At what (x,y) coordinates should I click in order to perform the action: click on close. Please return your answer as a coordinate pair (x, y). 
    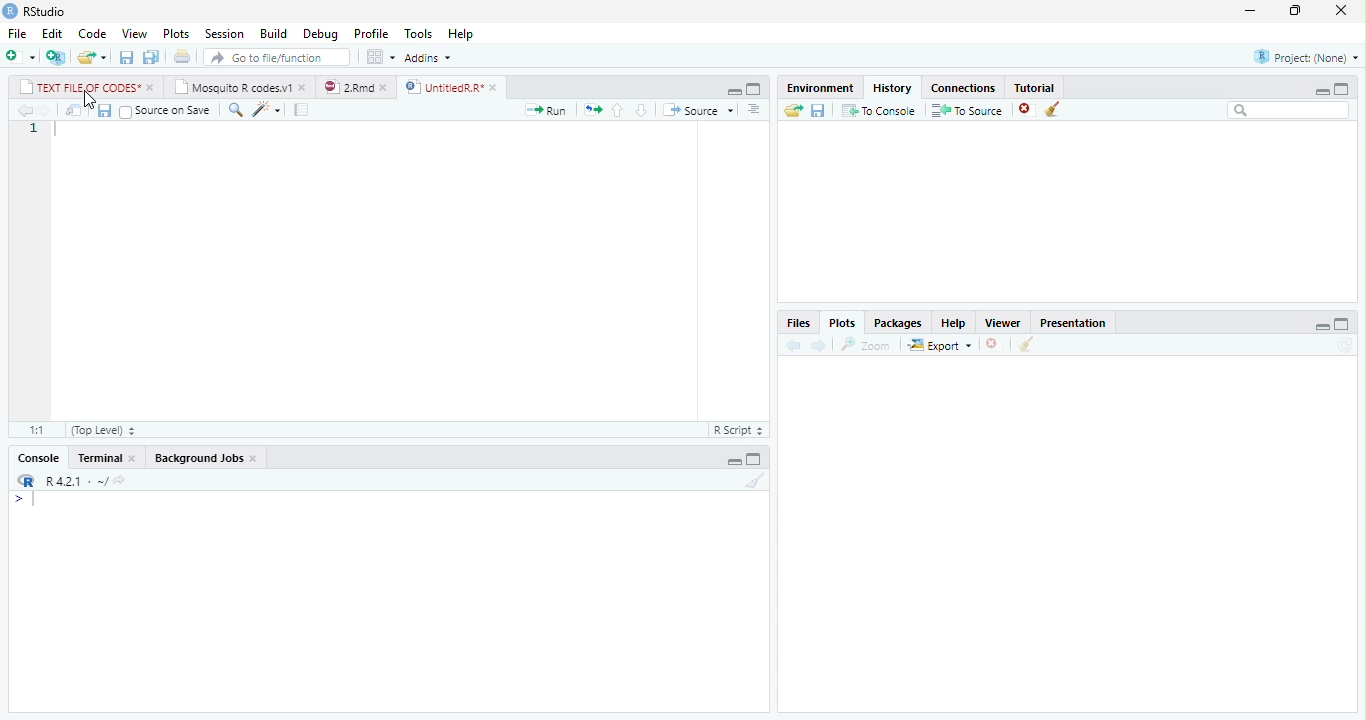
    Looking at the image, I should click on (151, 88).